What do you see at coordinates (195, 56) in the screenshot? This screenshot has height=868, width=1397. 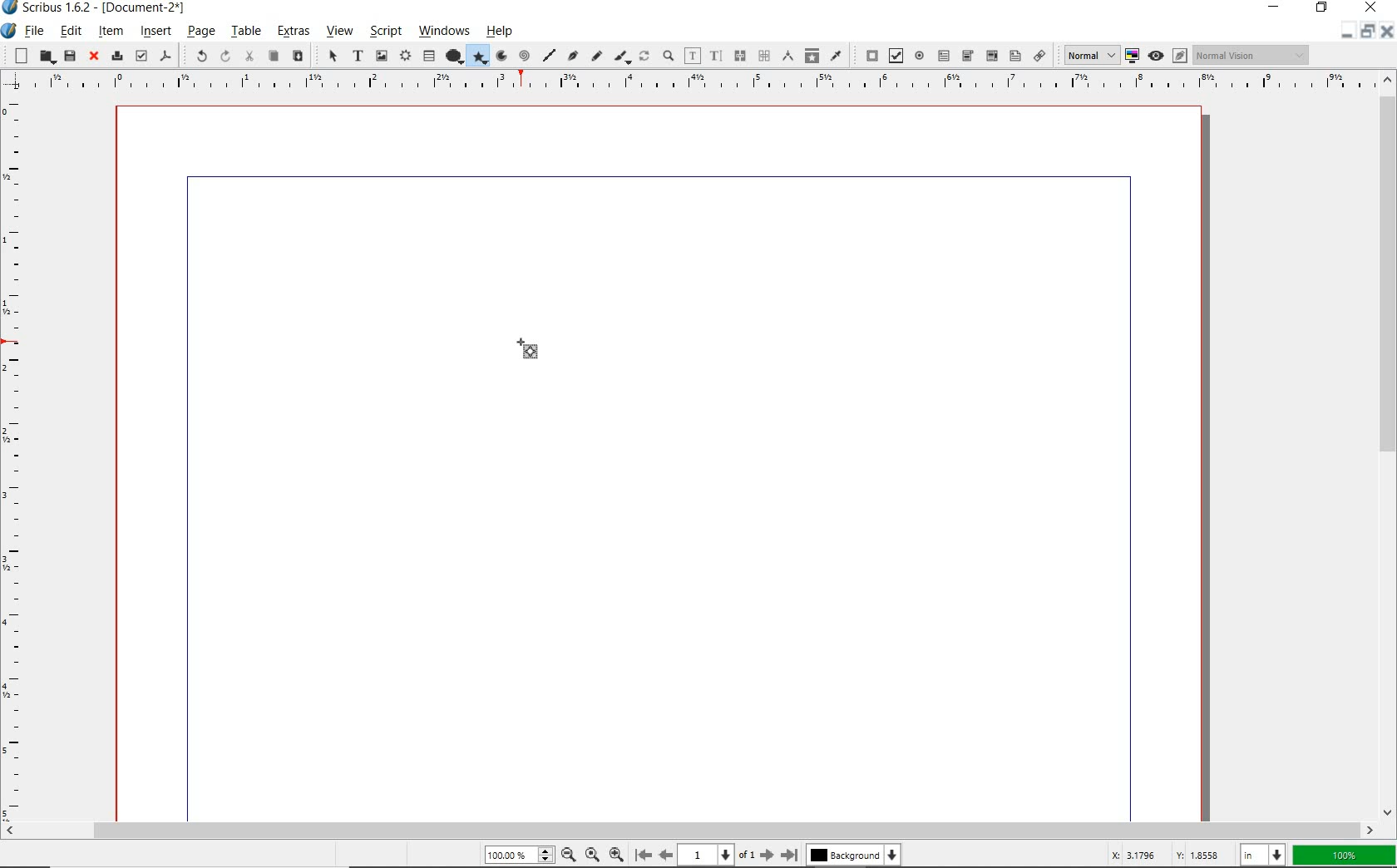 I see `undo` at bounding box center [195, 56].